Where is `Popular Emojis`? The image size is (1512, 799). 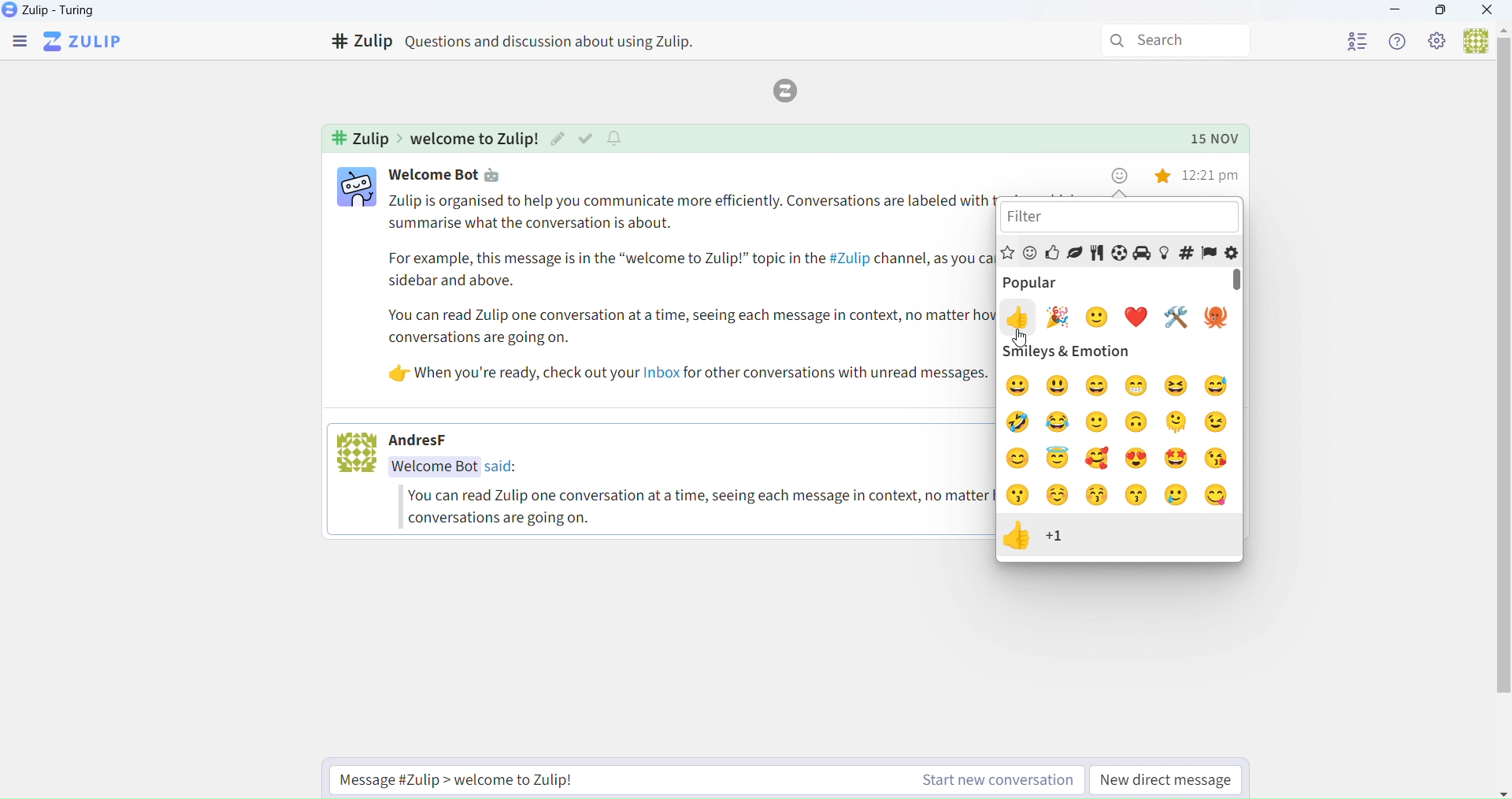 Popular Emojis is located at coordinates (1055, 281).